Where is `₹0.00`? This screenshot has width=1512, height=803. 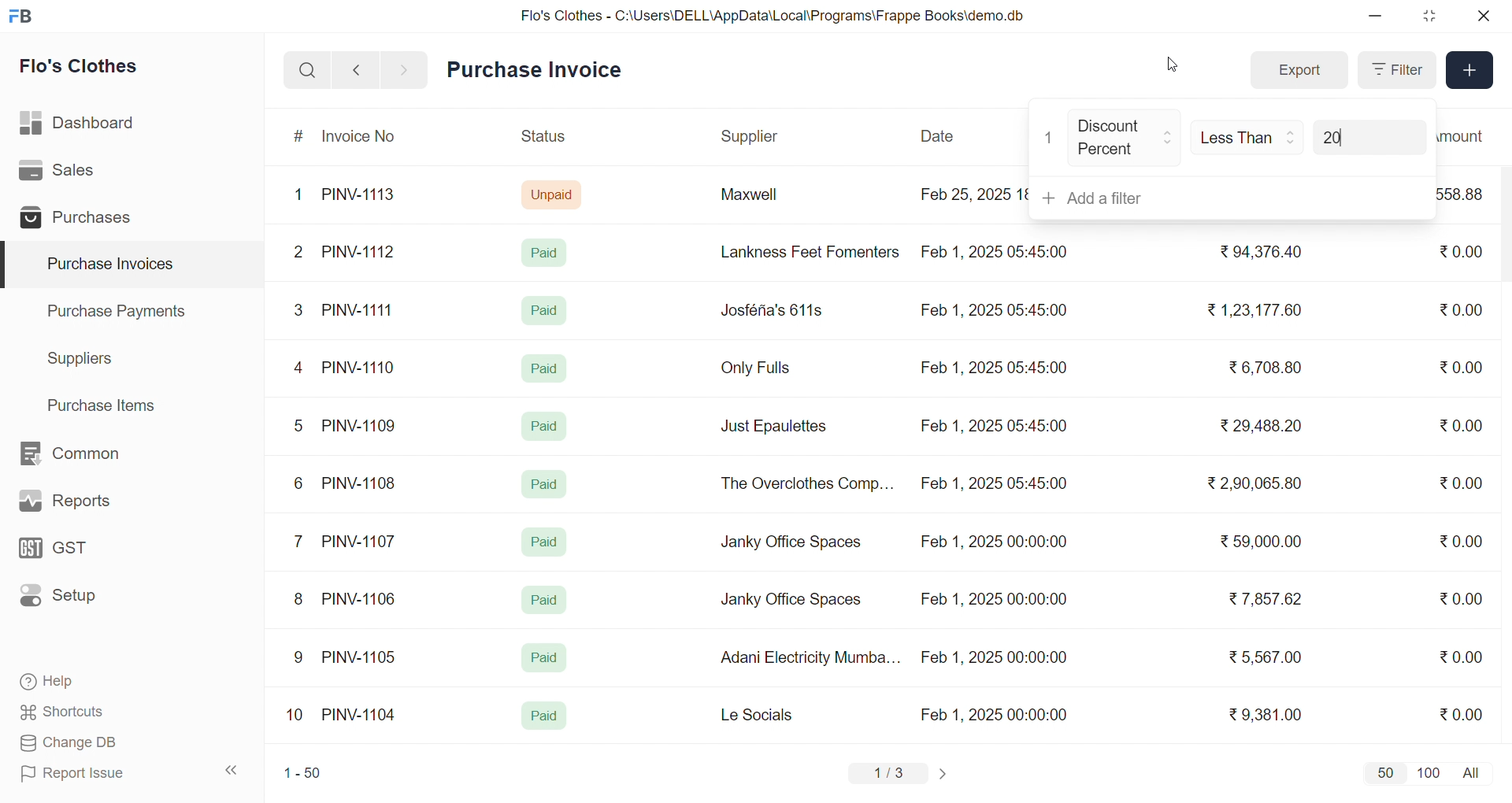
₹0.00 is located at coordinates (1452, 426).